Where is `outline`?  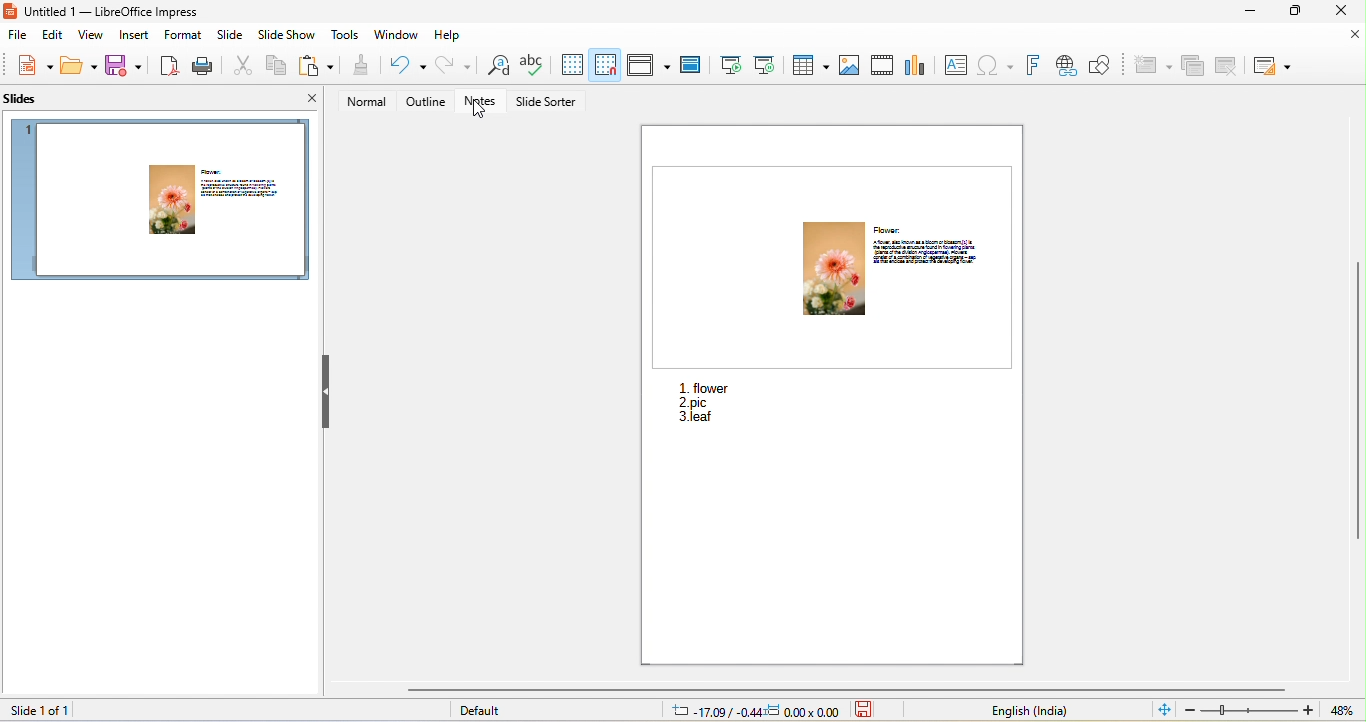
outline is located at coordinates (427, 102).